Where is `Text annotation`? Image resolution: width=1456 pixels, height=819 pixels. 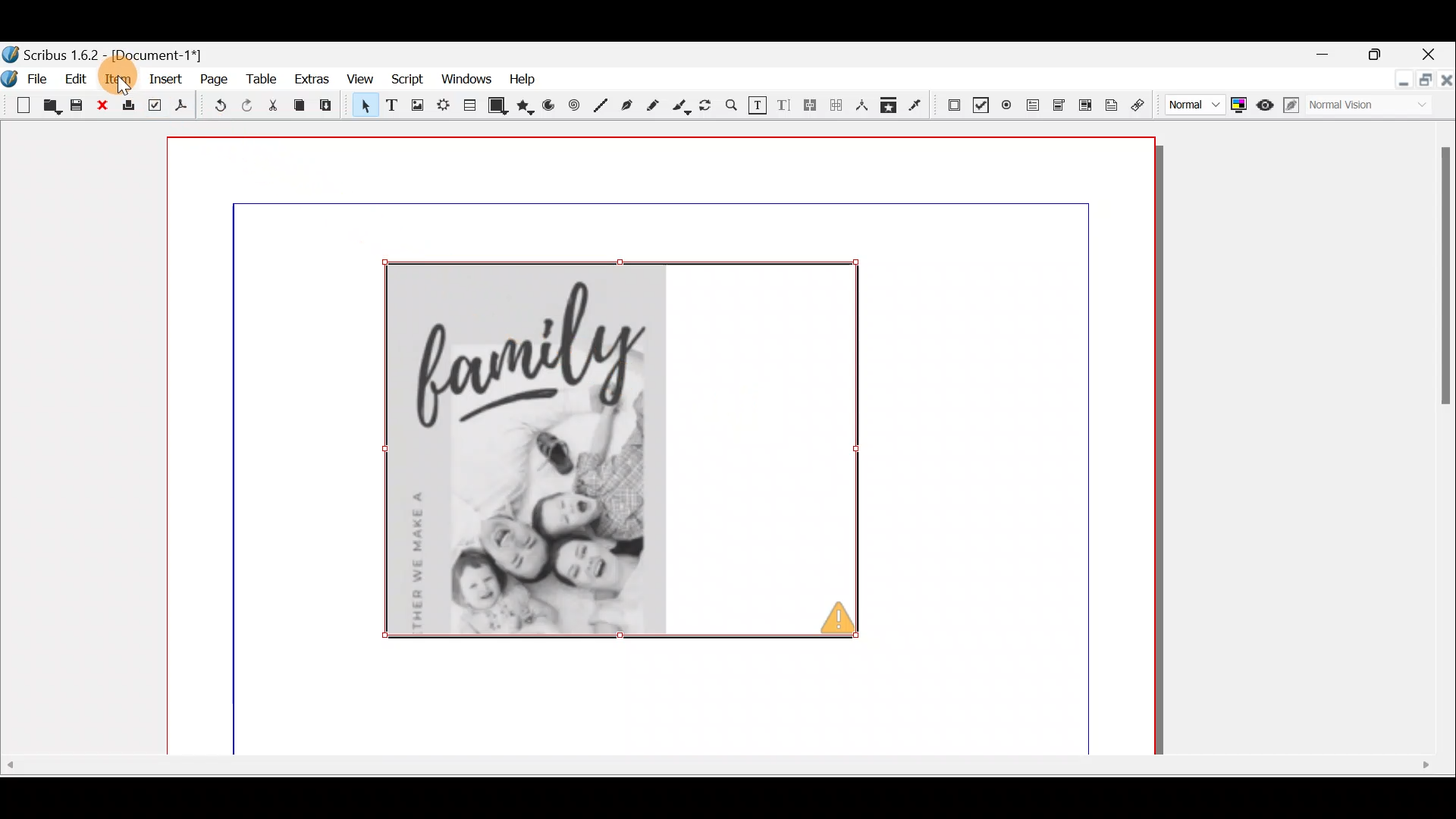
Text annotation is located at coordinates (1114, 104).